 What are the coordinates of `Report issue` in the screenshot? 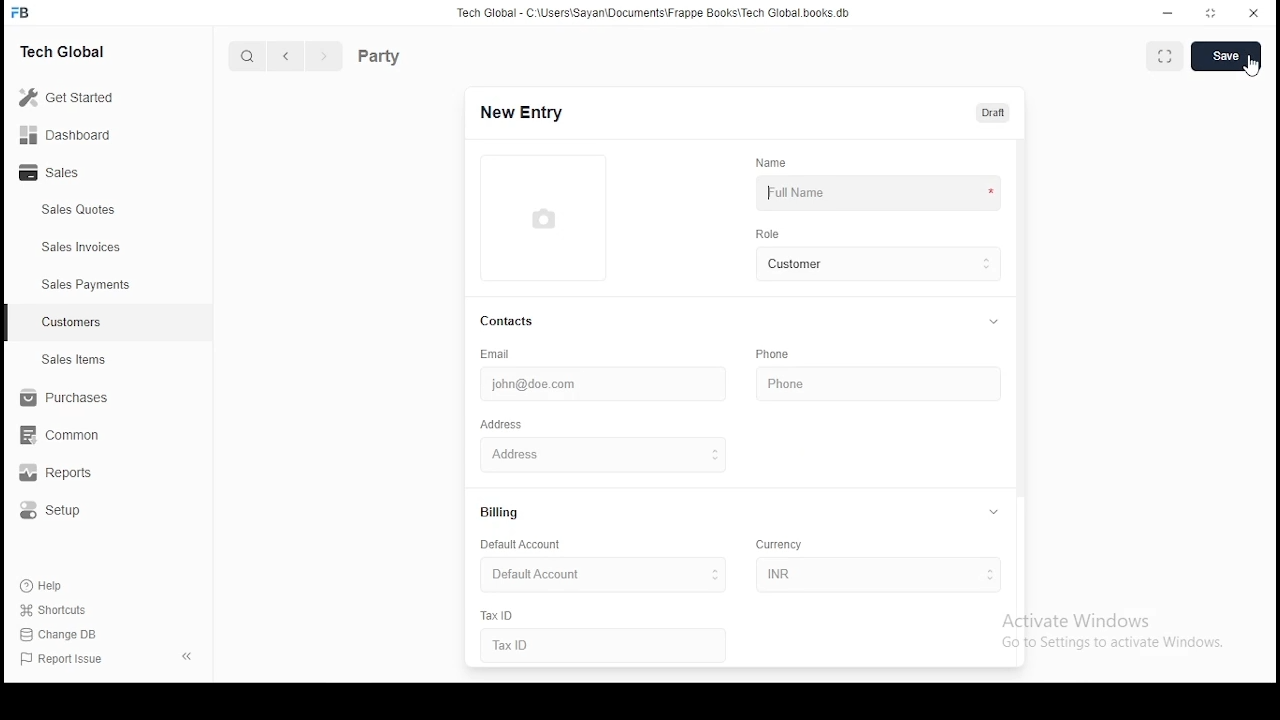 It's located at (65, 660).